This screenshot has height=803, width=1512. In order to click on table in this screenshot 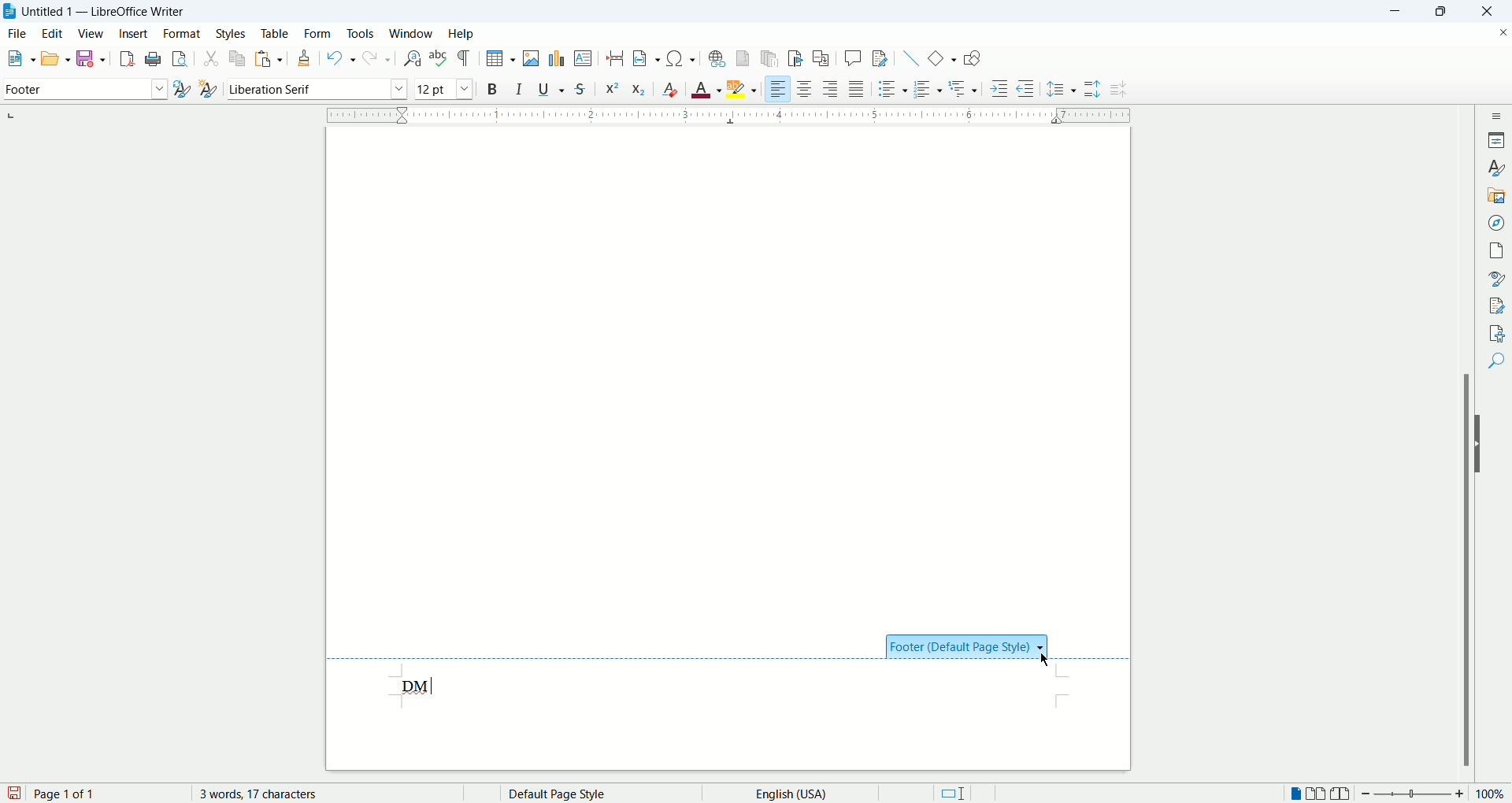, I will do `click(275, 31)`.